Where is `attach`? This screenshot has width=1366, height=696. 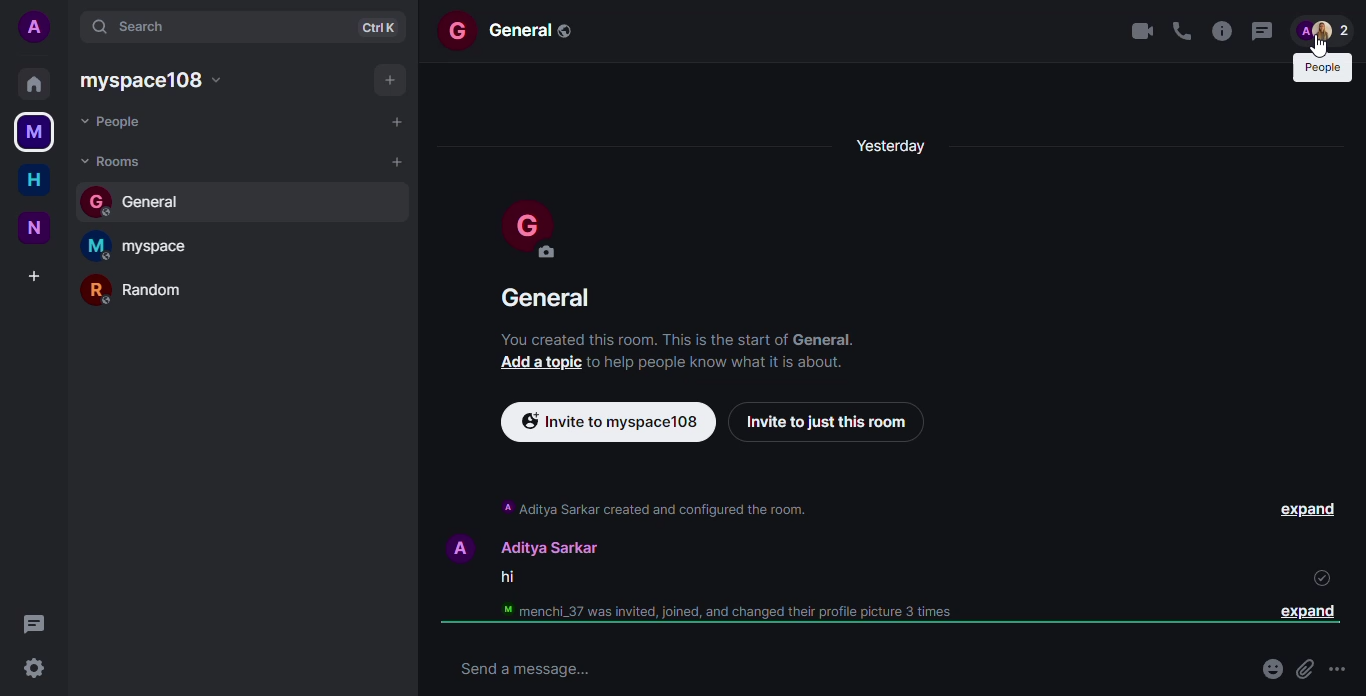 attach is located at coordinates (1304, 668).